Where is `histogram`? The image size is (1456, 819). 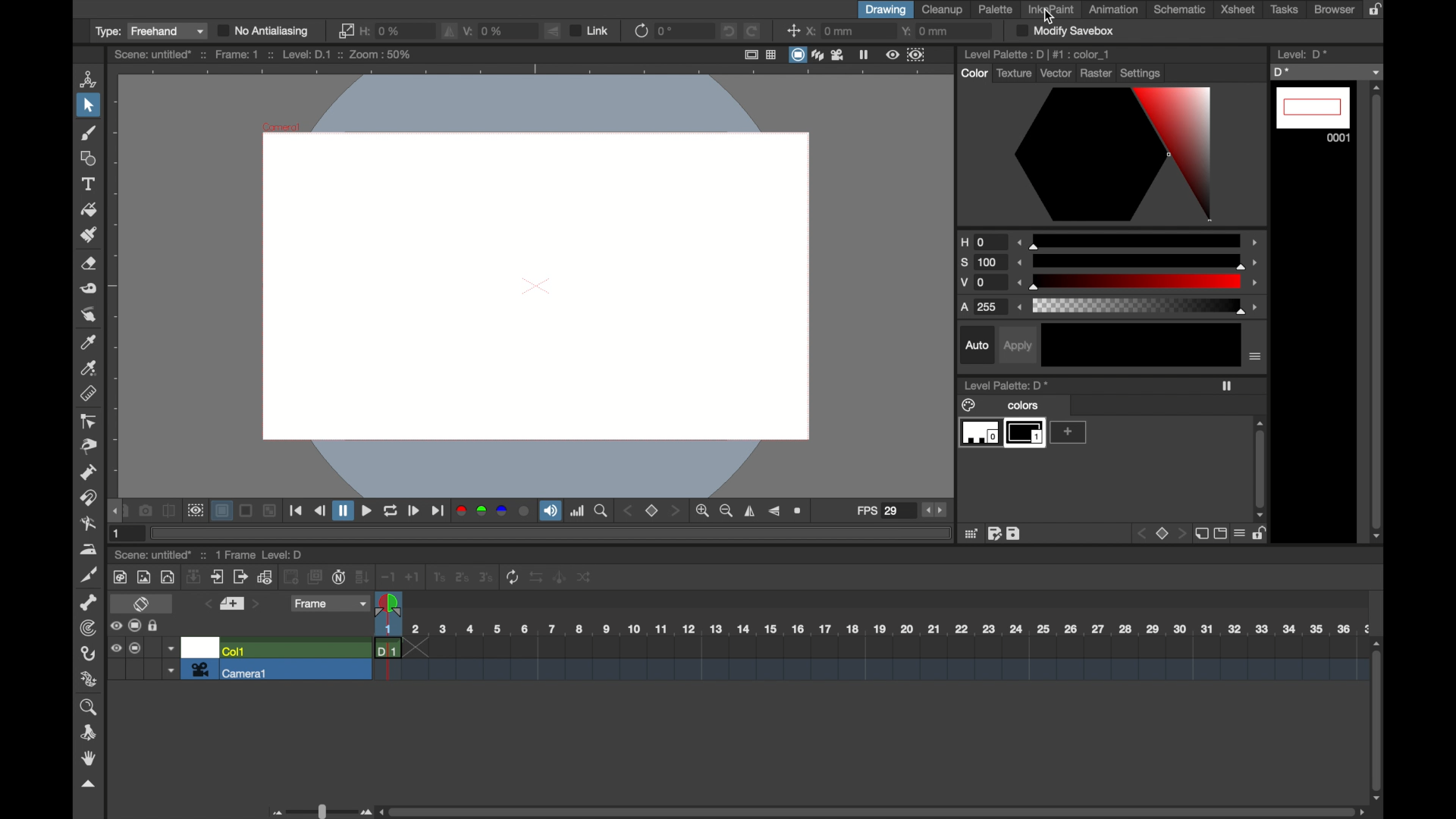 histogram is located at coordinates (579, 511).